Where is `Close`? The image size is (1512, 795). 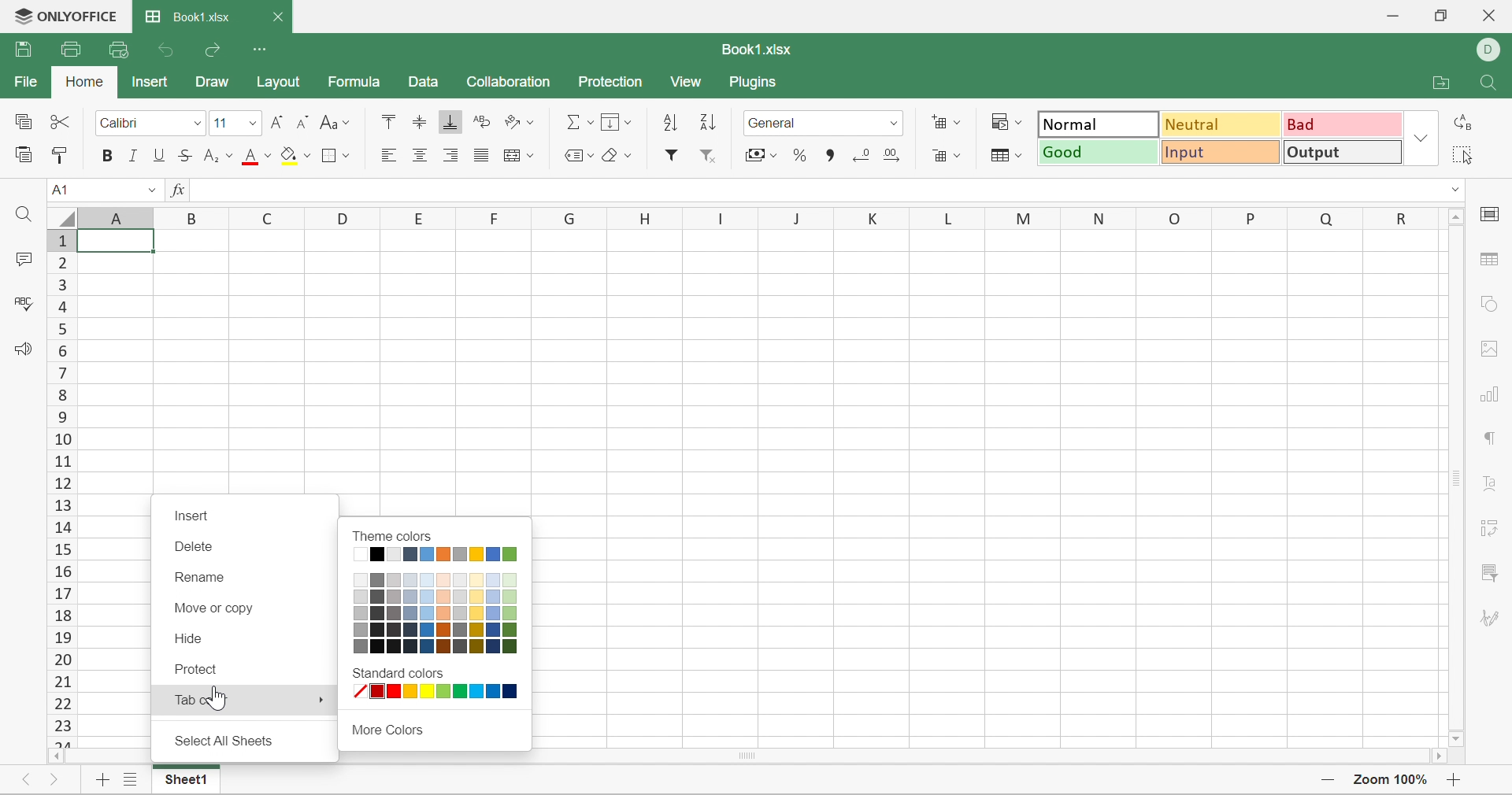
Close is located at coordinates (1488, 15).